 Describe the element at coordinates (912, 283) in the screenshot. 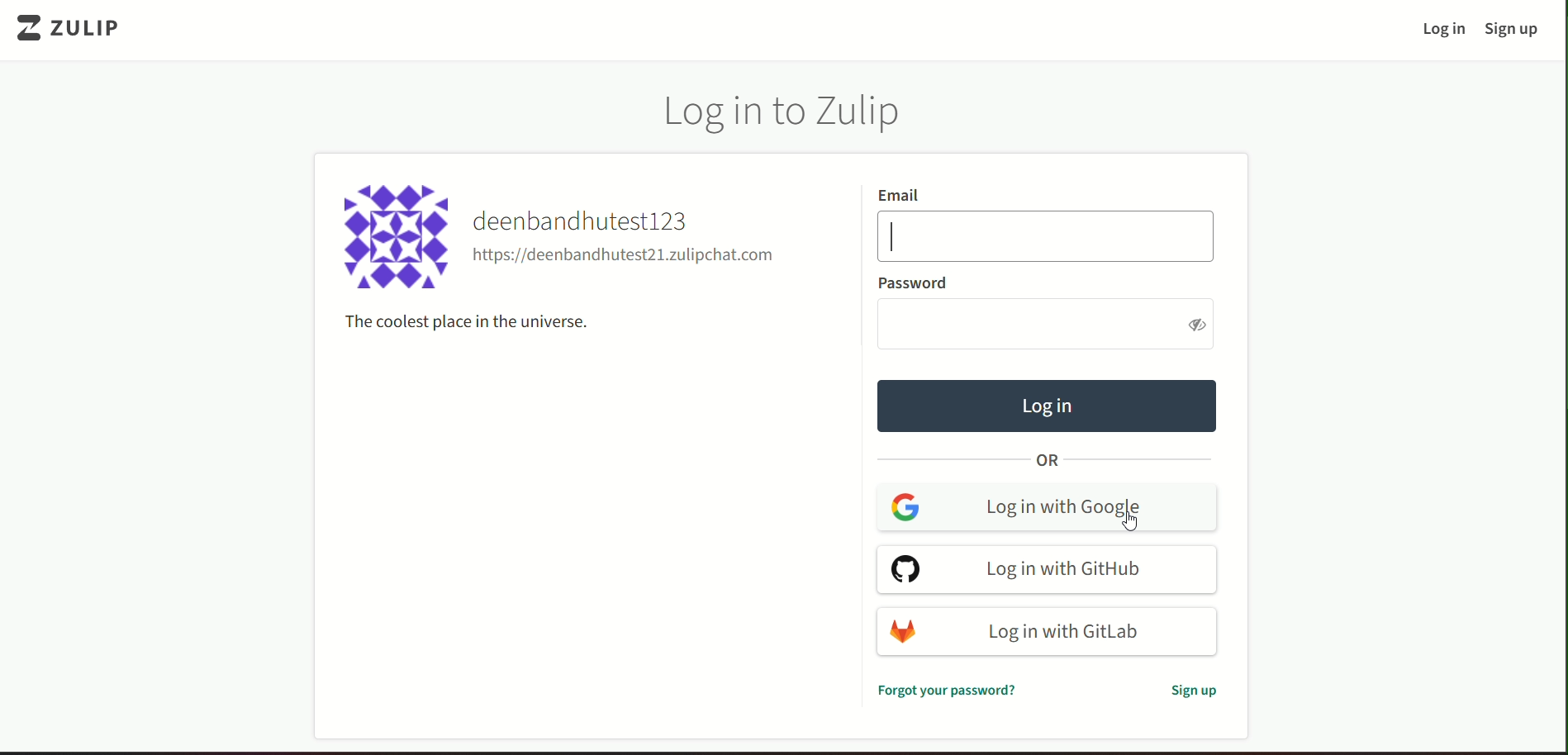

I see `text` at that location.